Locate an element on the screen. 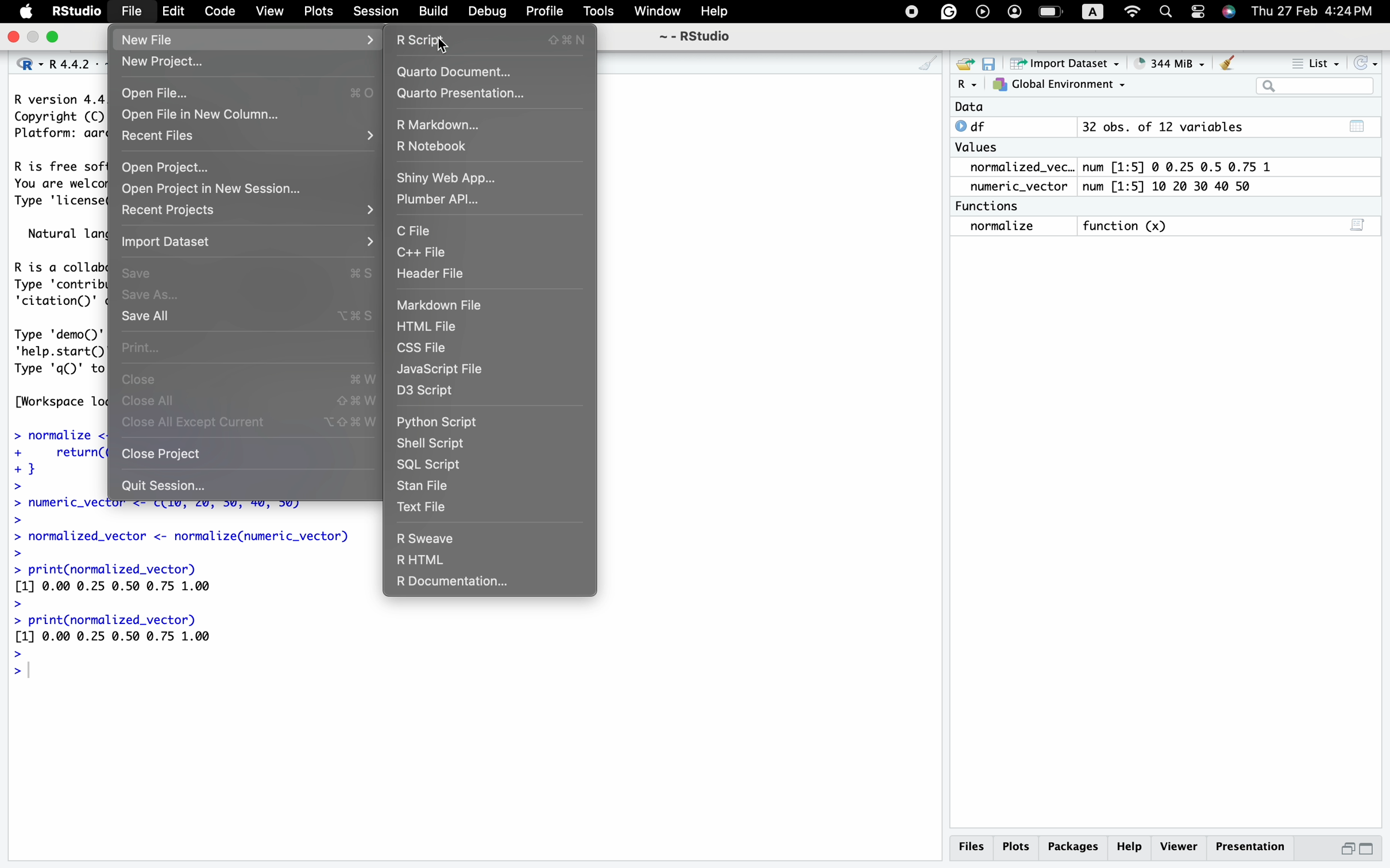  Stan File is located at coordinates (423, 487).